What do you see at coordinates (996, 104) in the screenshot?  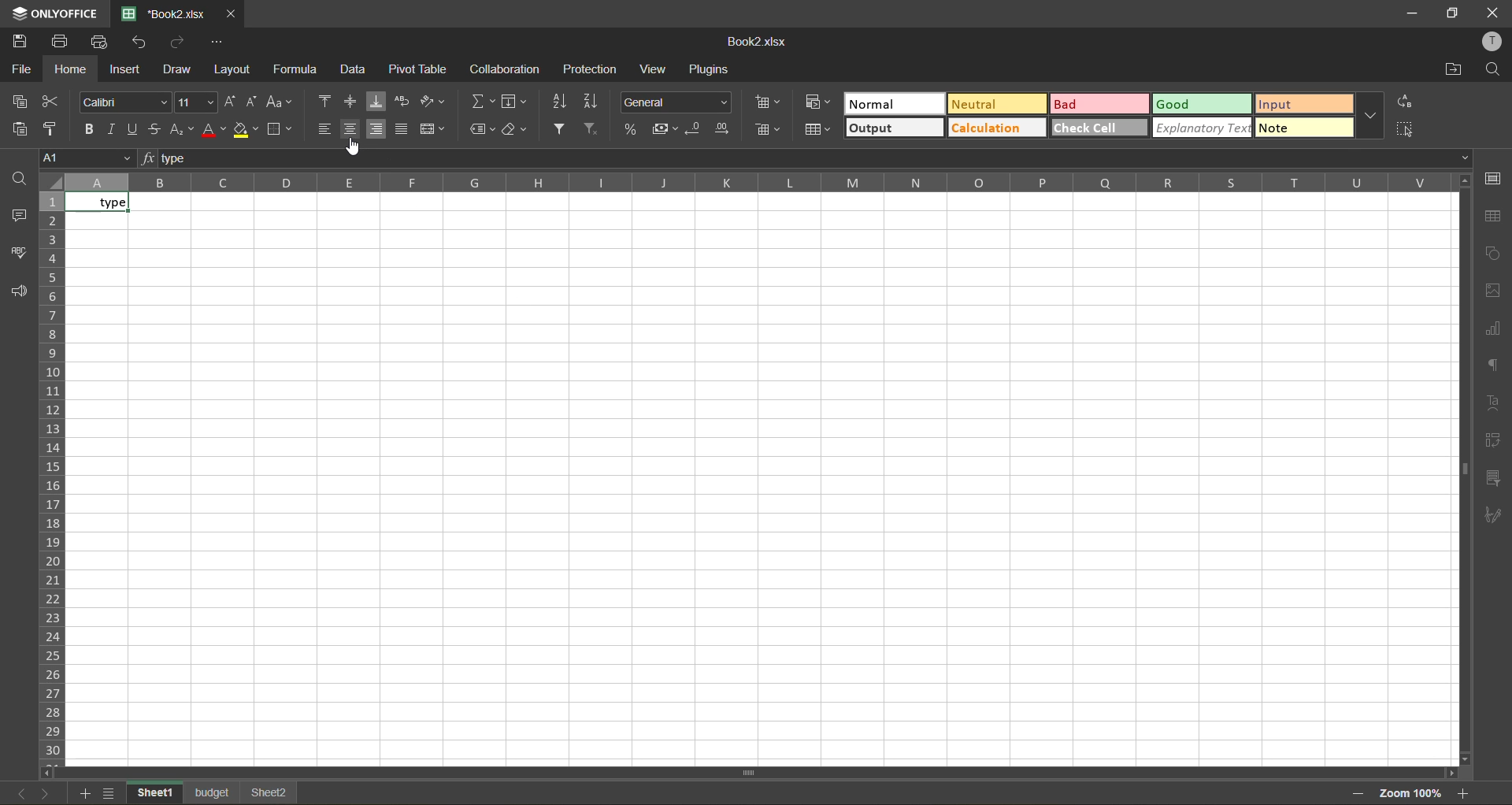 I see `neutral` at bounding box center [996, 104].